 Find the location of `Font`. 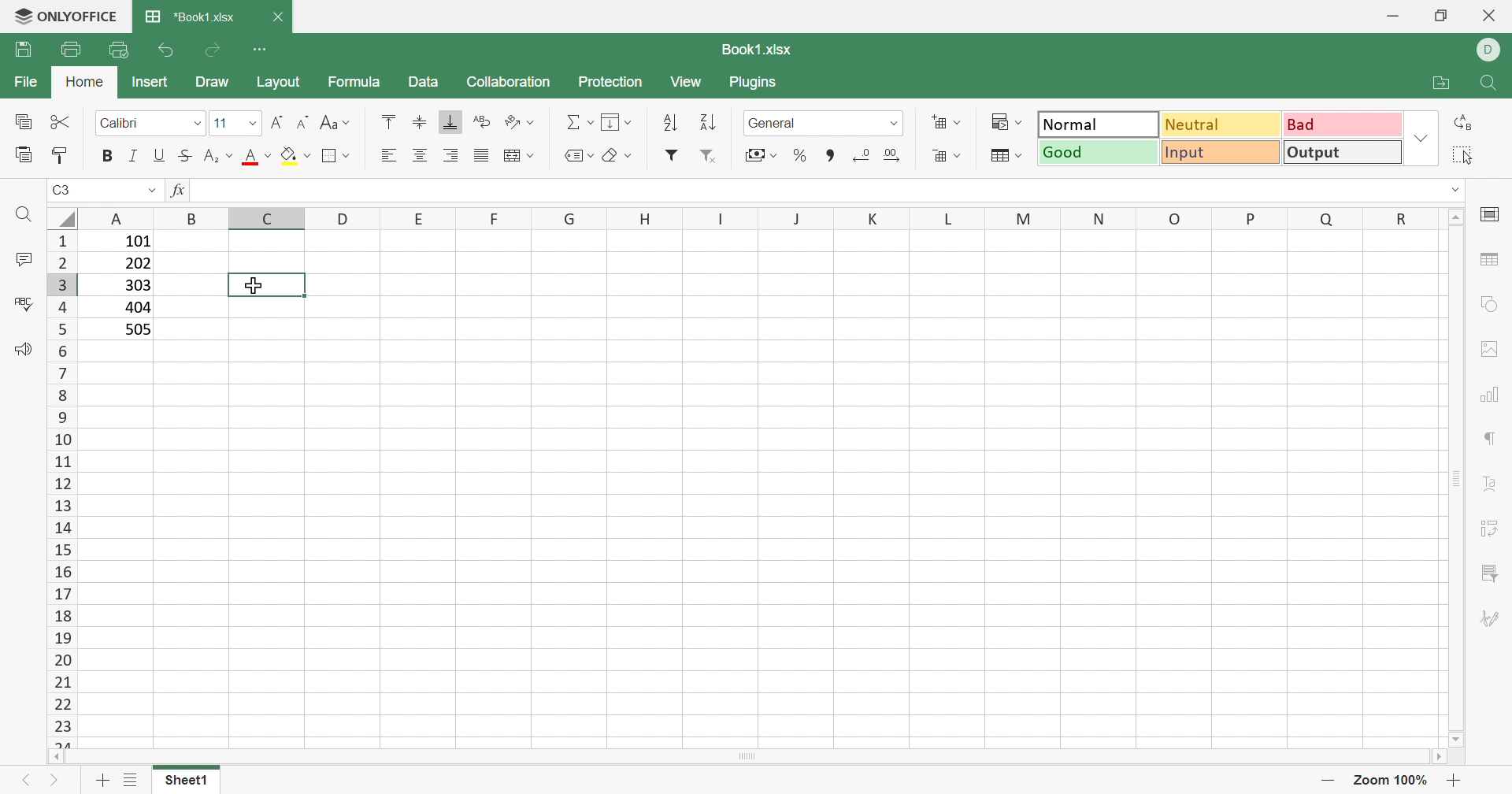

Font is located at coordinates (125, 124).